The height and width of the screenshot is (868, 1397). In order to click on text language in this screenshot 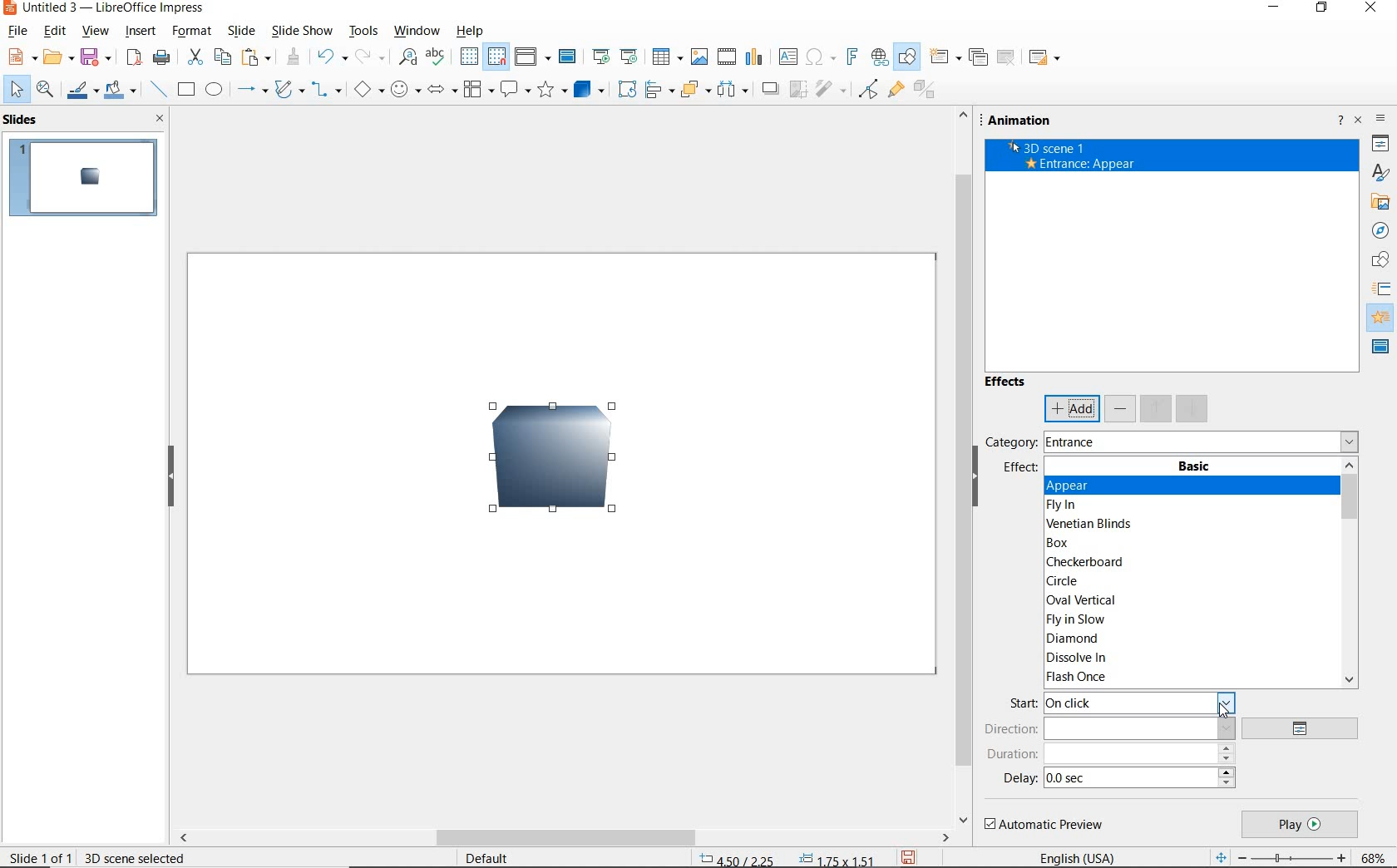, I will do `click(1079, 856)`.